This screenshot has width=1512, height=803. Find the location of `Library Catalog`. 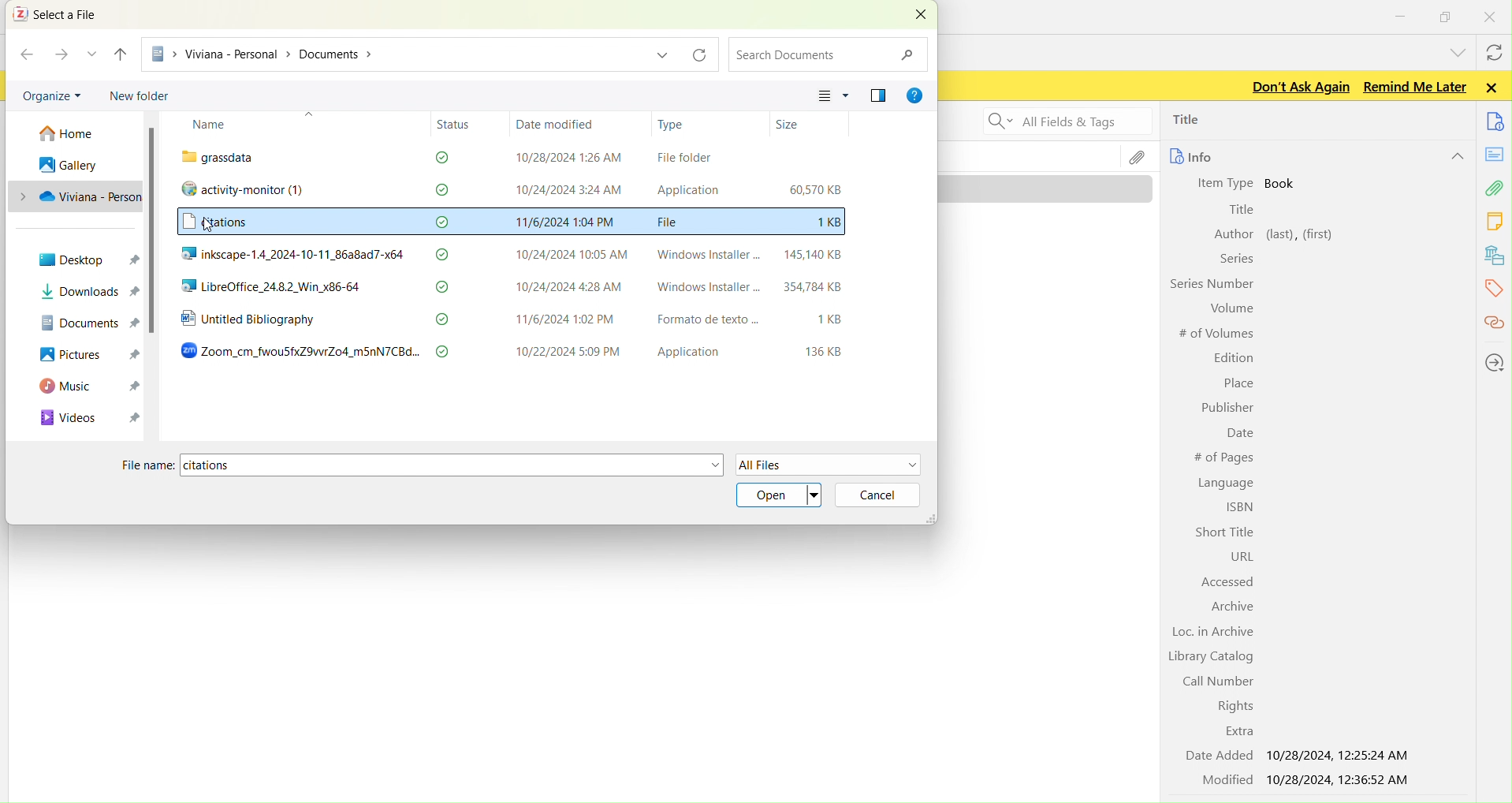

Library Catalog is located at coordinates (1208, 657).